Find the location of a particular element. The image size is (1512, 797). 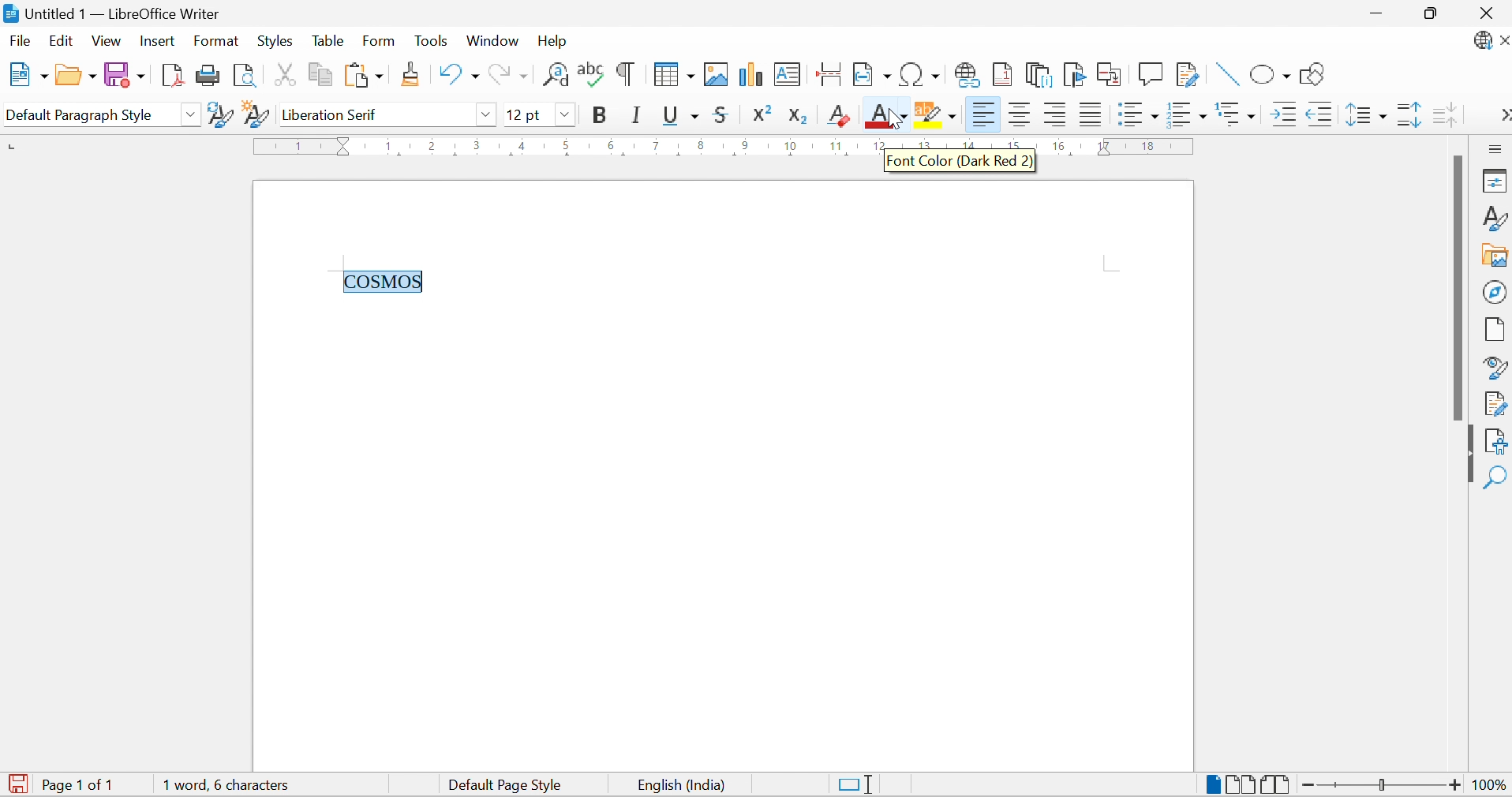

Default Paragraph Style is located at coordinates (80, 114).